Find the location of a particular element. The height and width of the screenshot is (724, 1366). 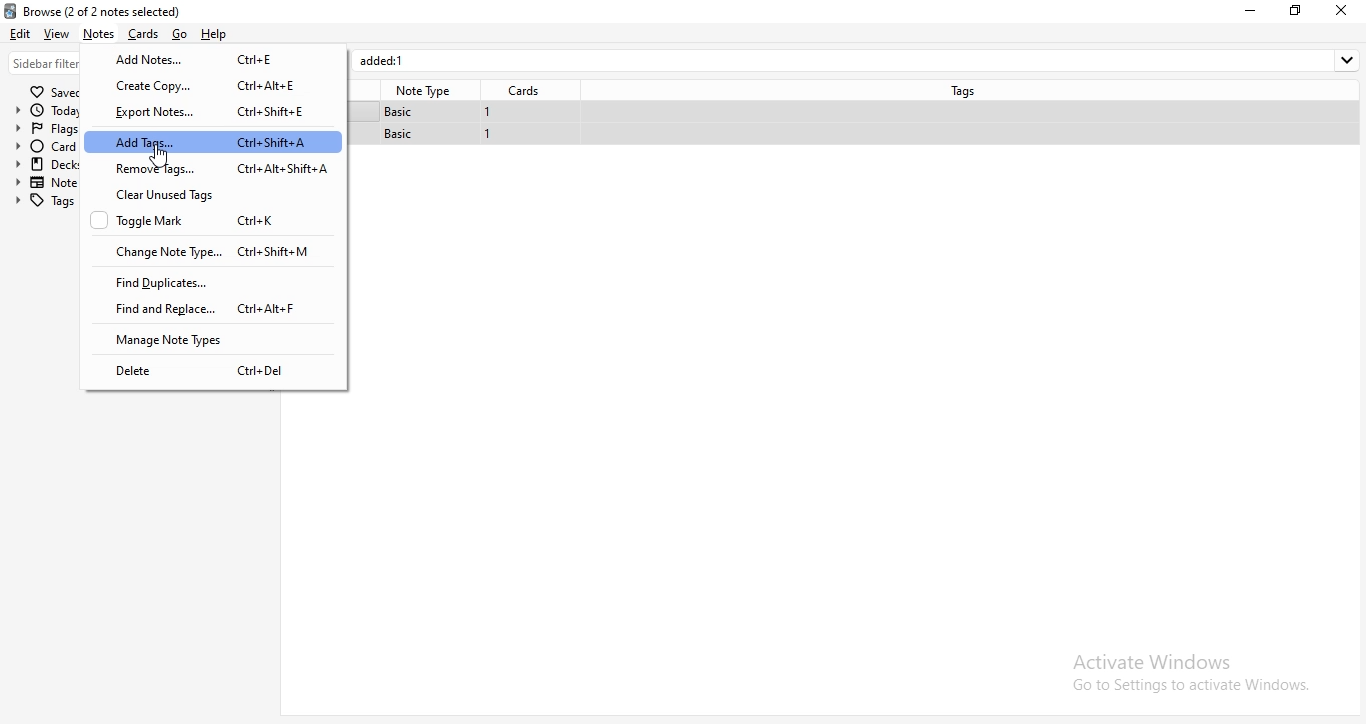

view is located at coordinates (58, 33).